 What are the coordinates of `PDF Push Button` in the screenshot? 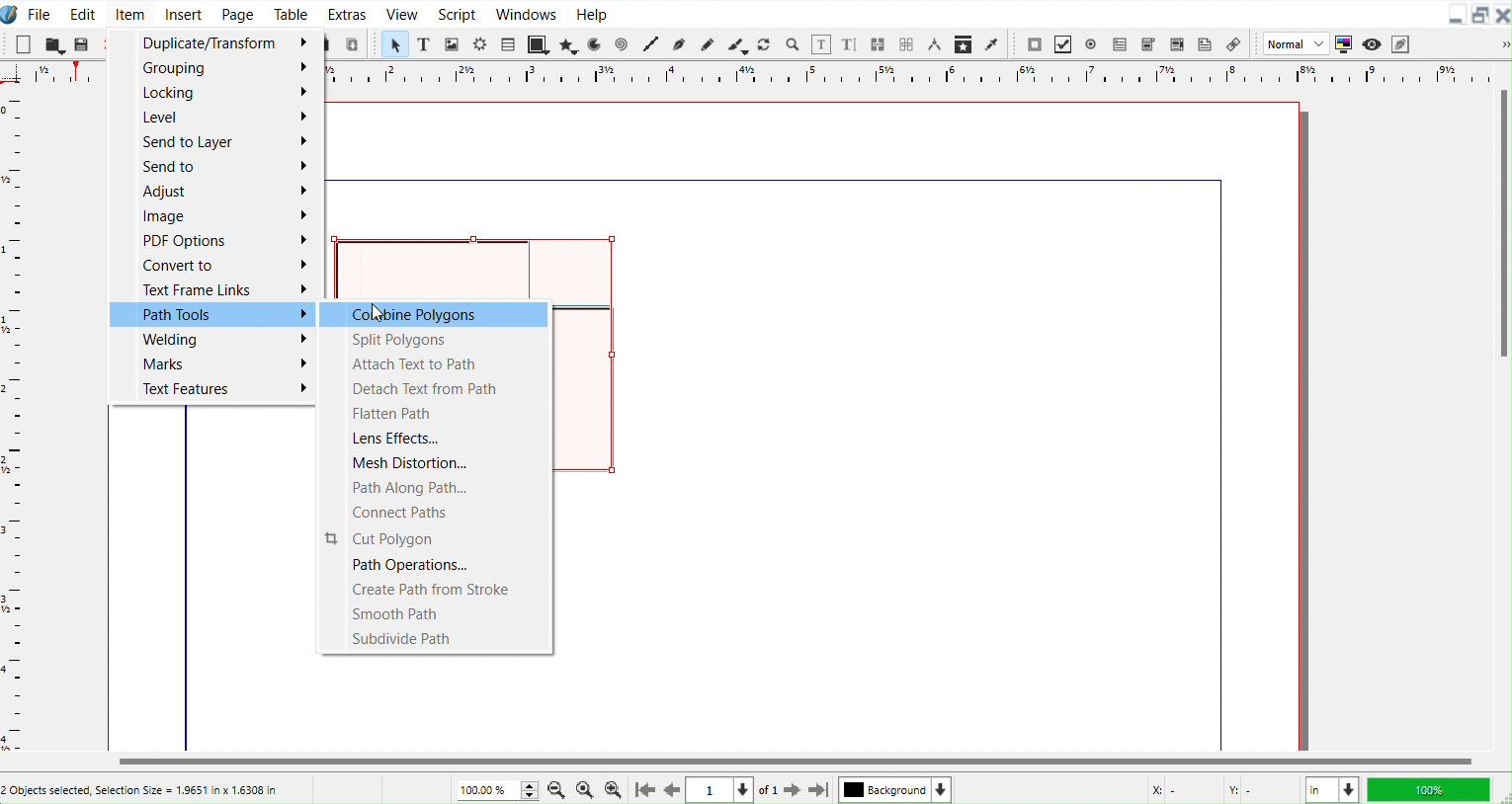 It's located at (1034, 44).